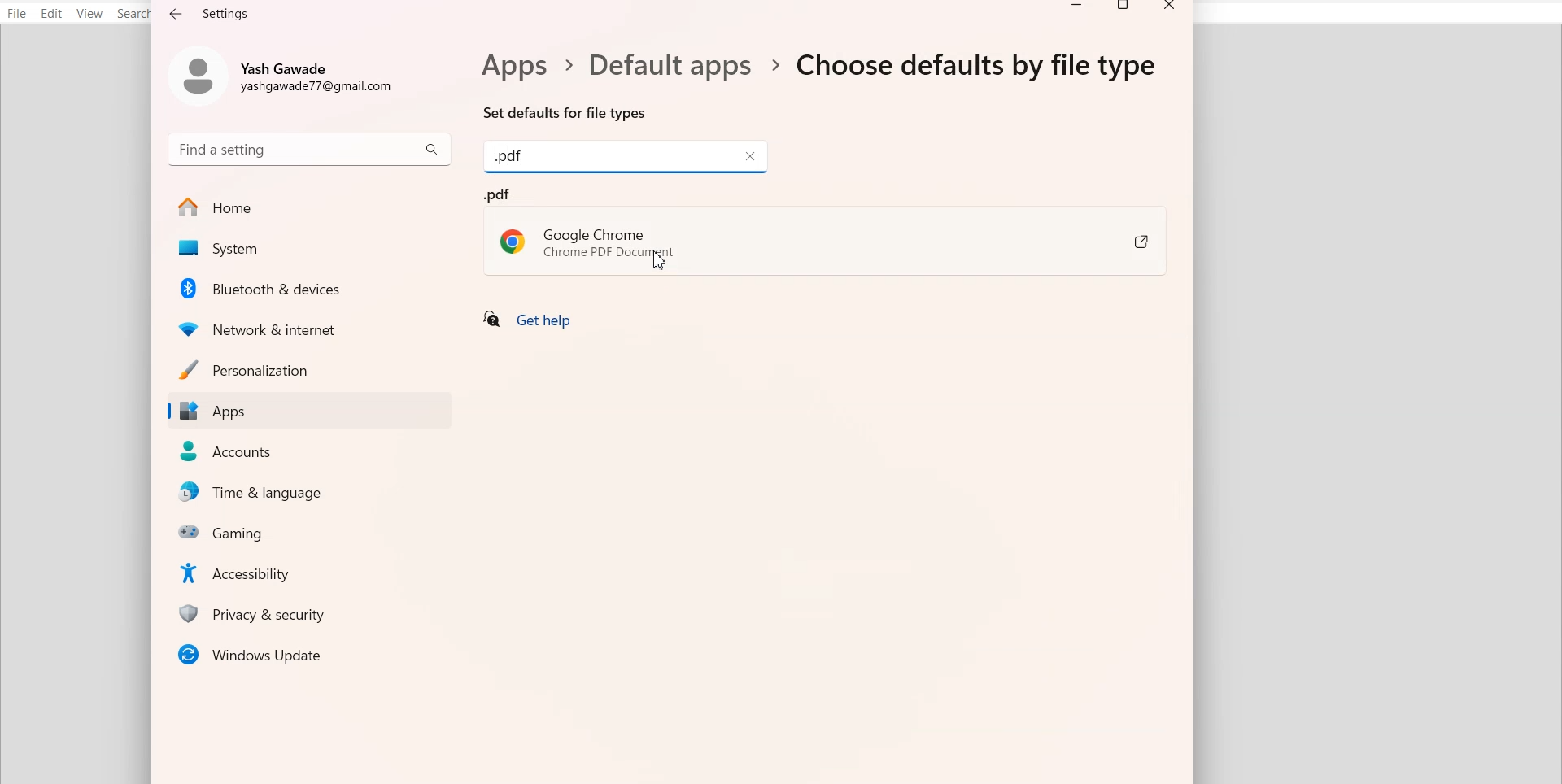 The height and width of the screenshot is (784, 1562). Describe the element at coordinates (1125, 8) in the screenshot. I see `Maximize` at that location.